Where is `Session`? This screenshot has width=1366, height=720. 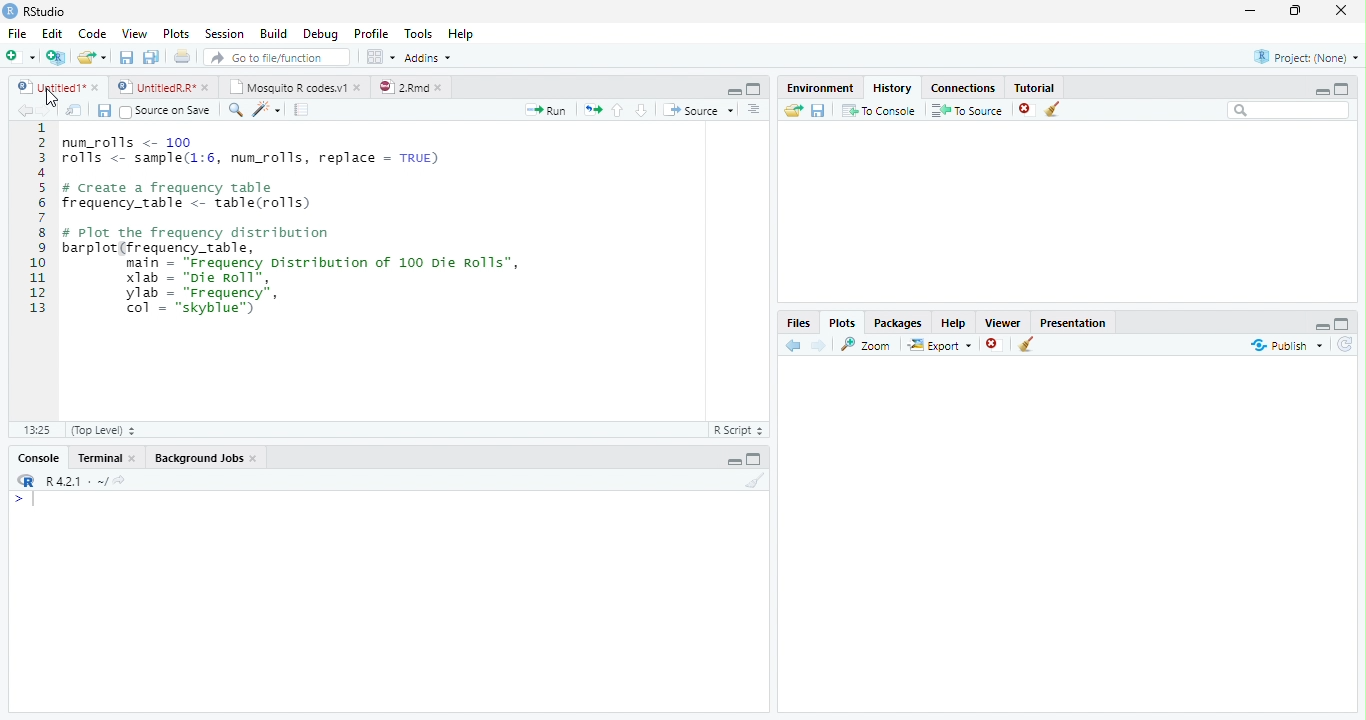 Session is located at coordinates (225, 33).